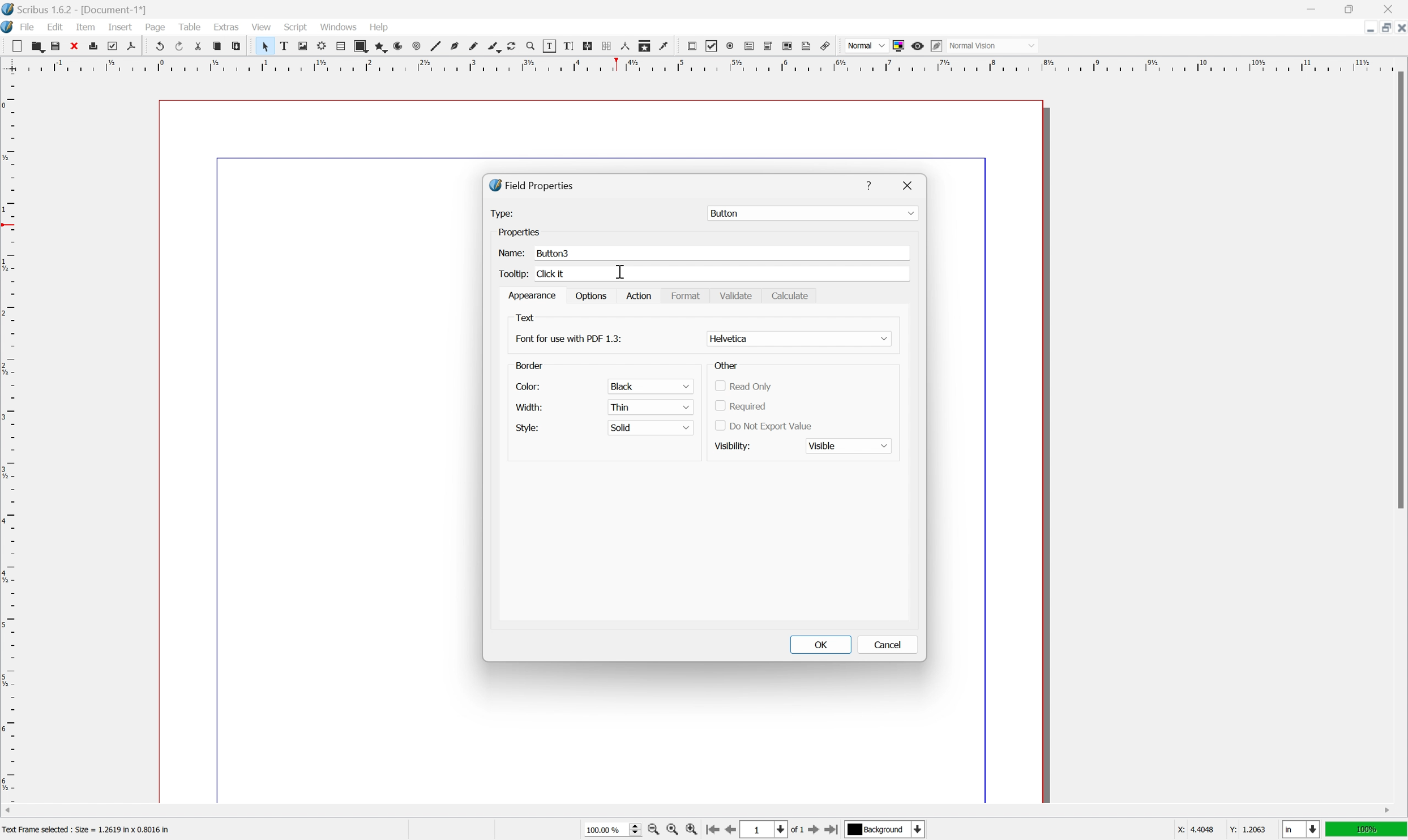  I want to click on go to first page, so click(712, 830).